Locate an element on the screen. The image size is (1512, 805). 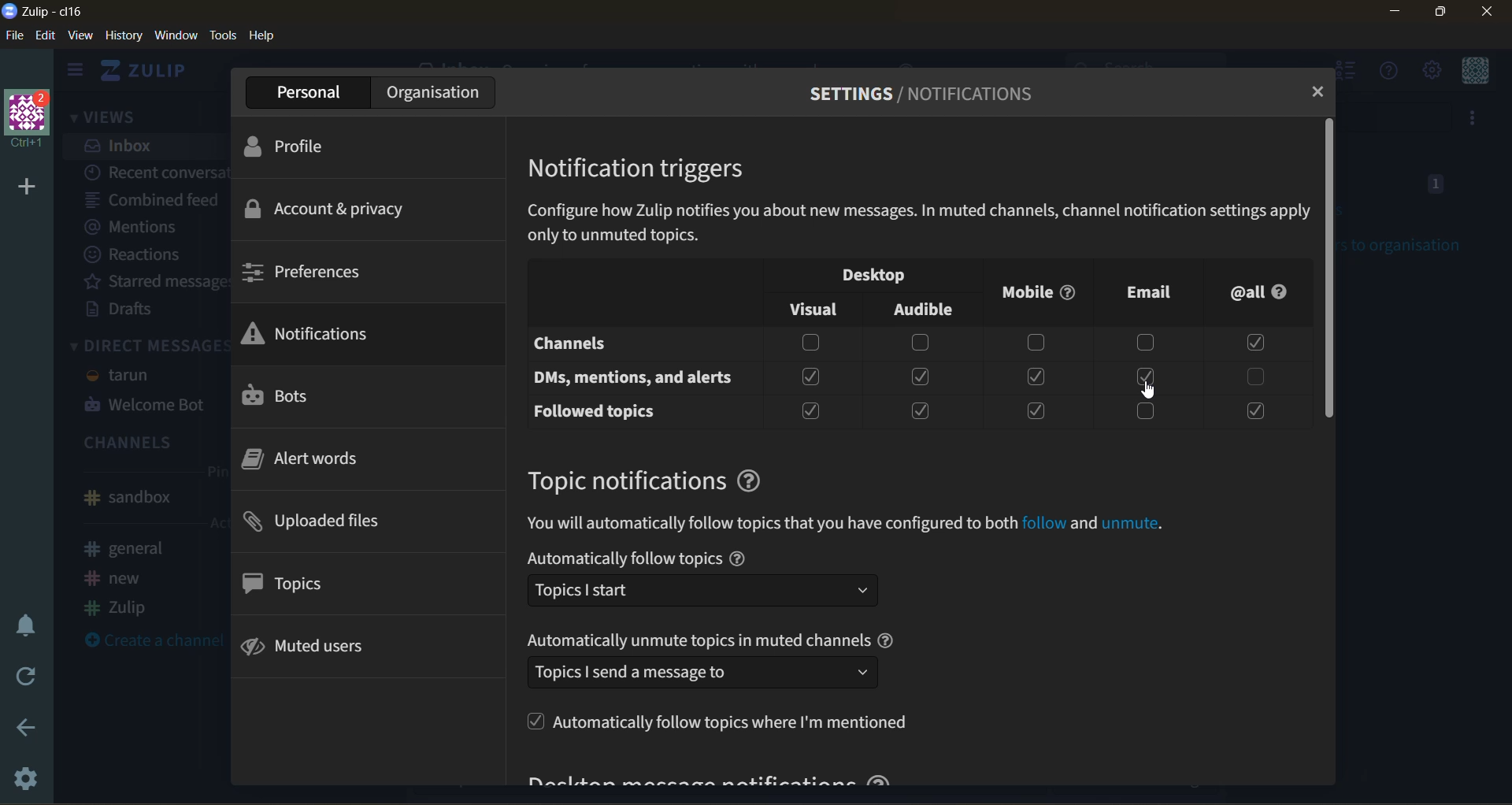
help is located at coordinates (269, 37).